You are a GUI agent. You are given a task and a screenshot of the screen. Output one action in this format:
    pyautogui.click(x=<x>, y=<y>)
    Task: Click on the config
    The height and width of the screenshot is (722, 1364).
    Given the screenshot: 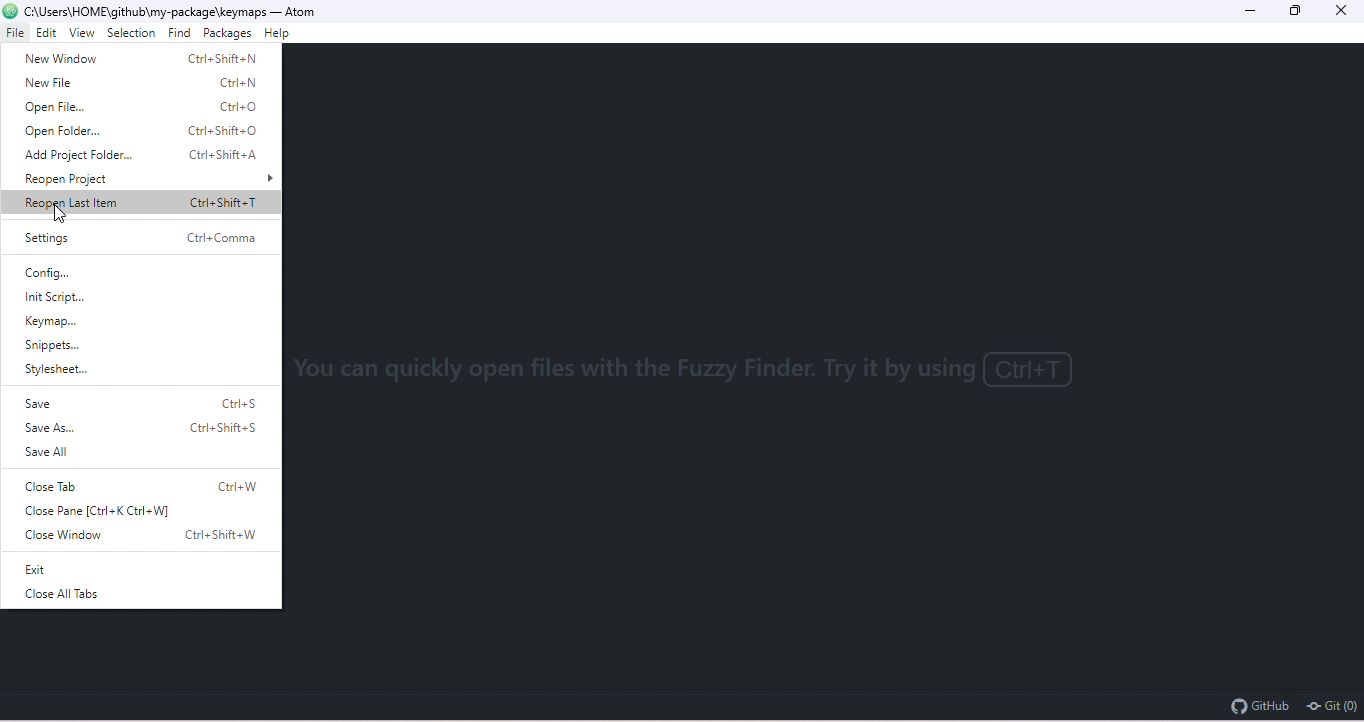 What is the action you would take?
    pyautogui.click(x=77, y=272)
    